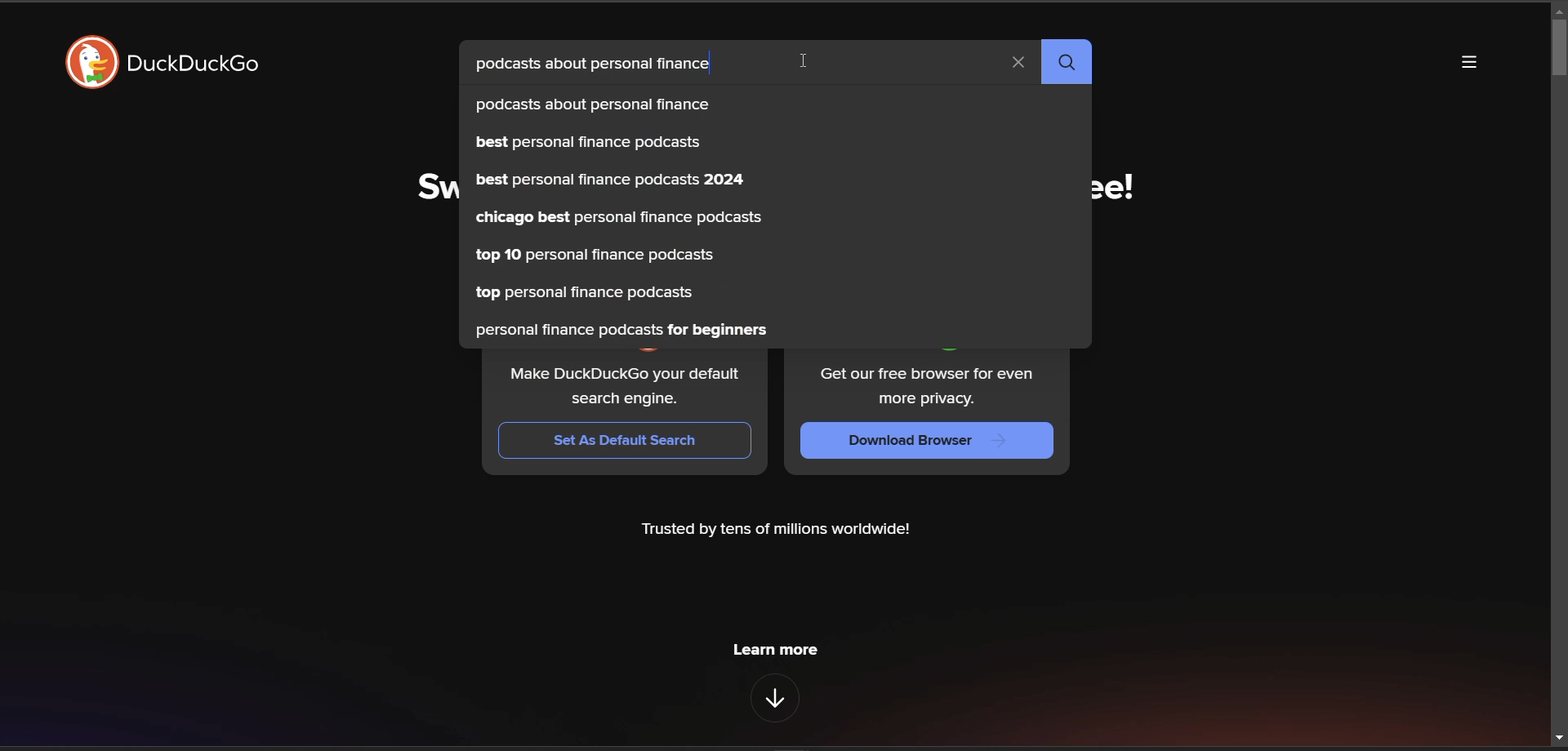 This screenshot has width=1568, height=751. I want to click on search button, so click(1071, 62).